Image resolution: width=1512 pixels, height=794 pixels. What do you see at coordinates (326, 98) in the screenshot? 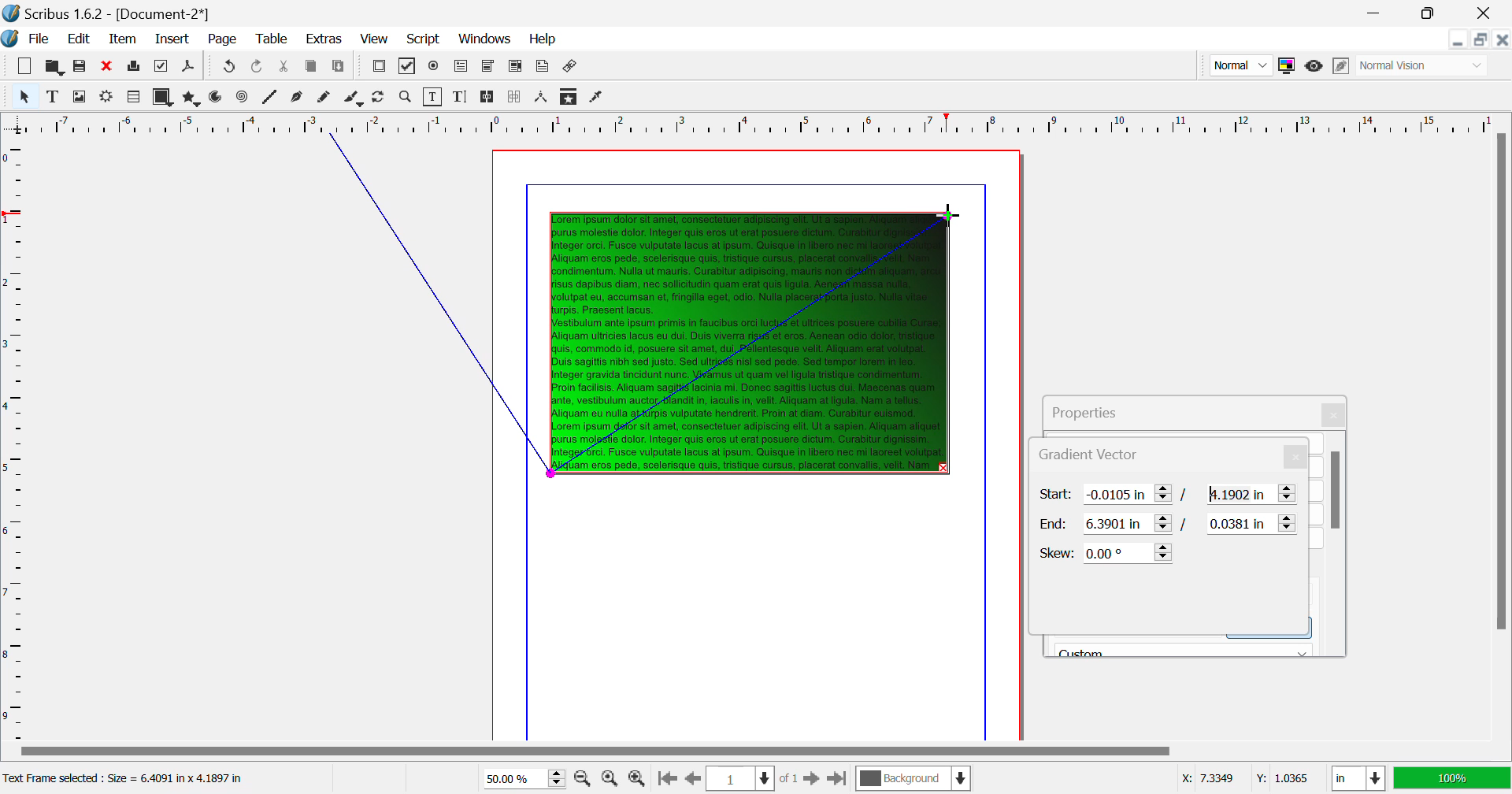
I see `Freehand` at bounding box center [326, 98].